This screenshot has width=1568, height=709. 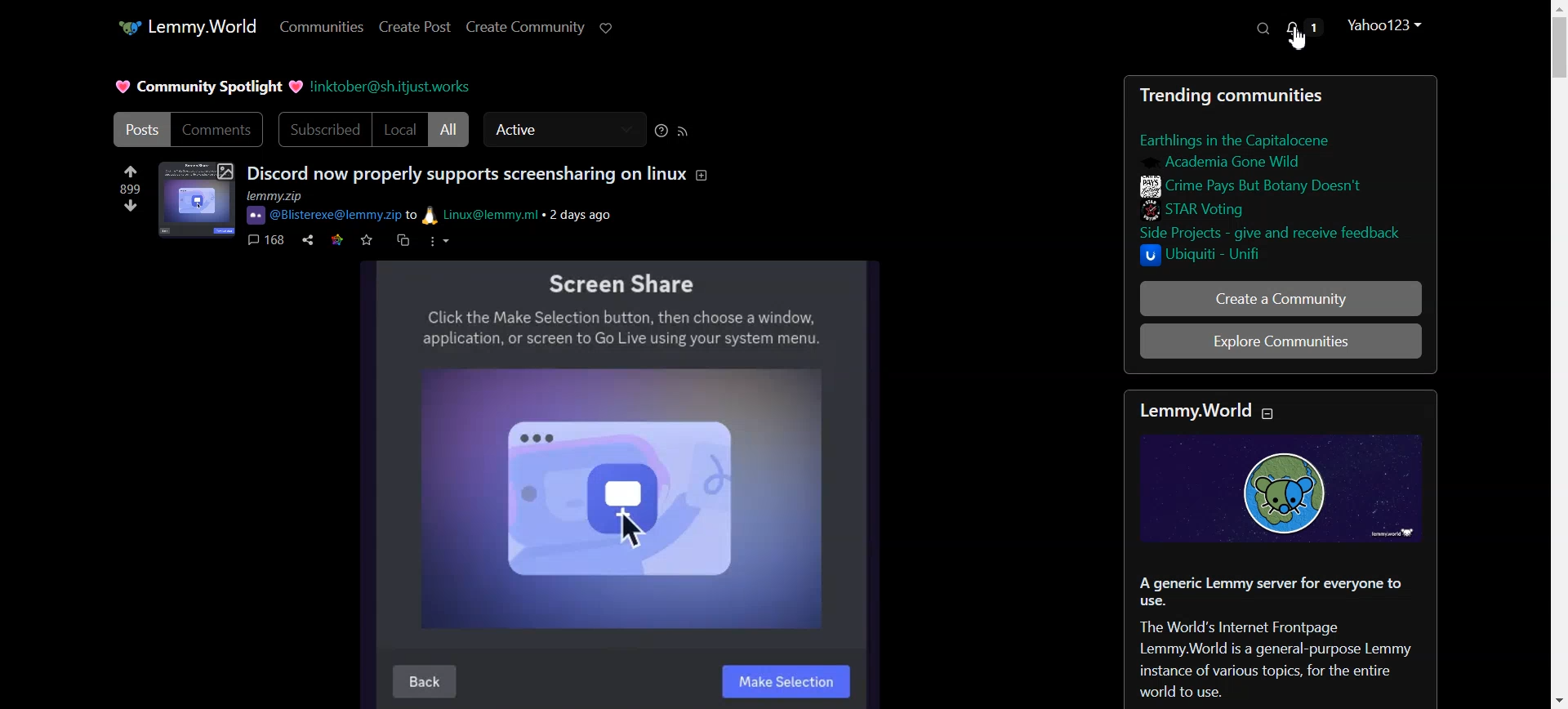 I want to click on Upvote, so click(x=129, y=178).